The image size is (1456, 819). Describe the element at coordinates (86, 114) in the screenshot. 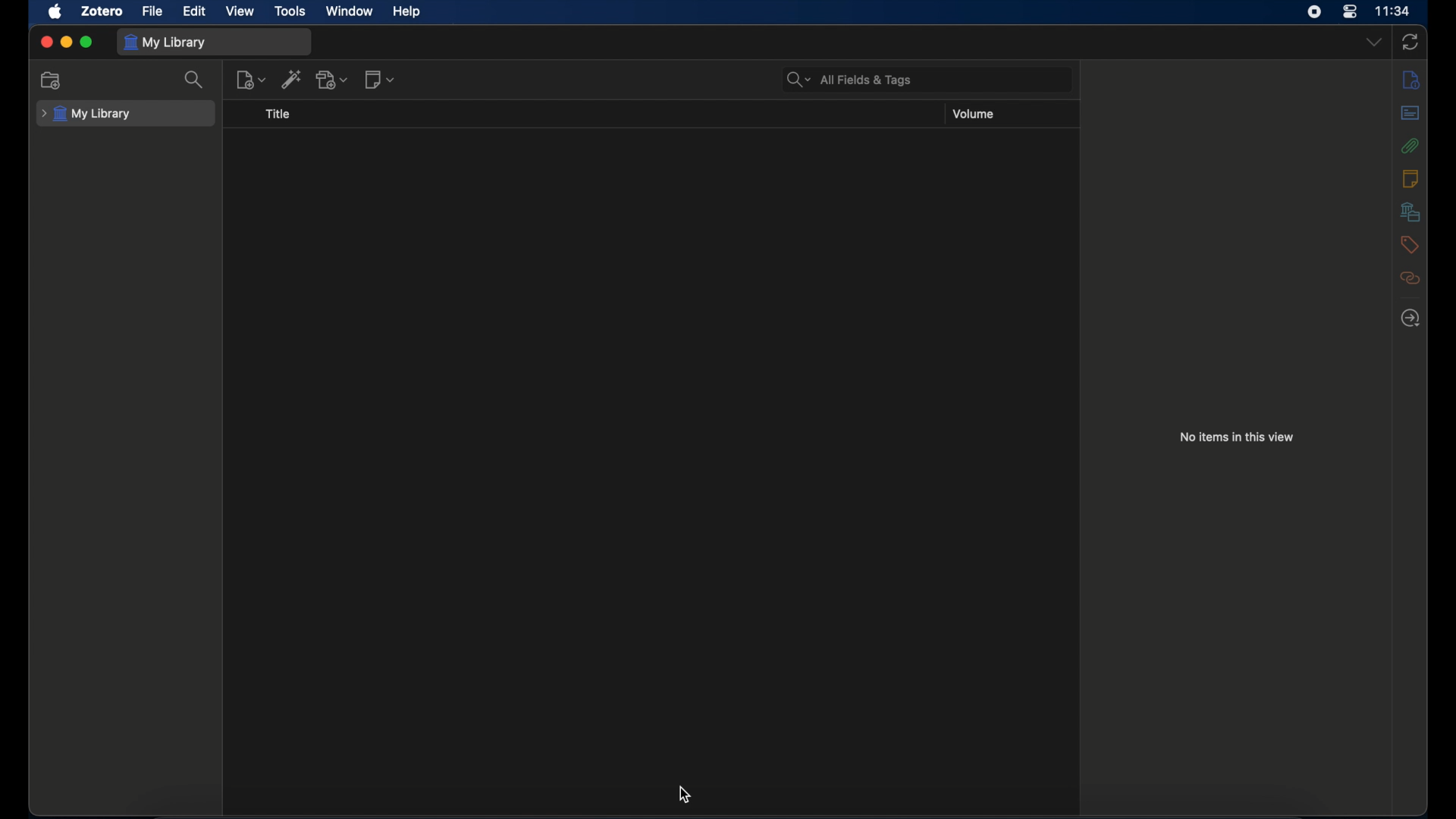

I see `my library` at that location.